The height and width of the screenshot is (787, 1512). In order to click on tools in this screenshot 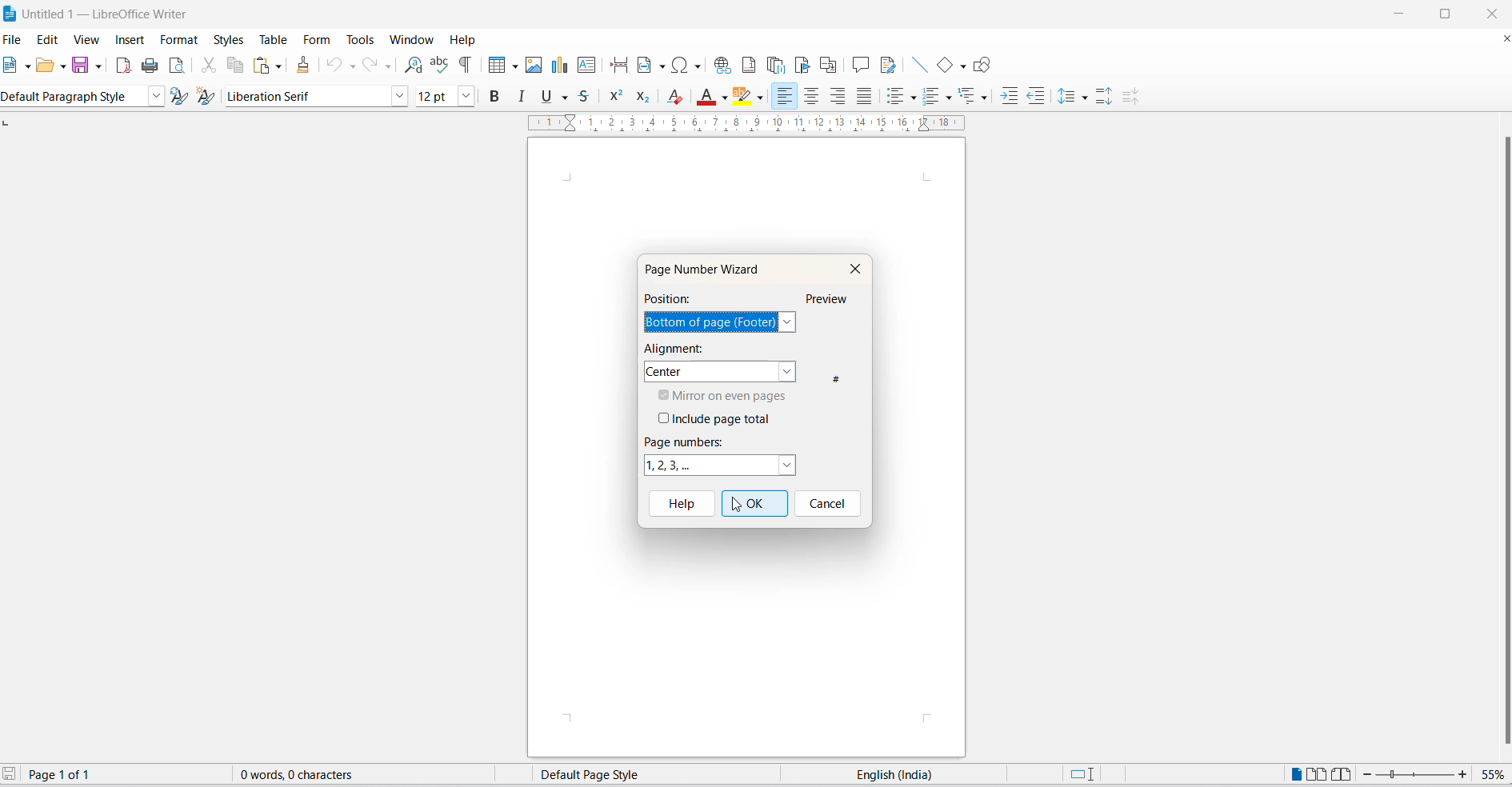, I will do `click(360, 39)`.